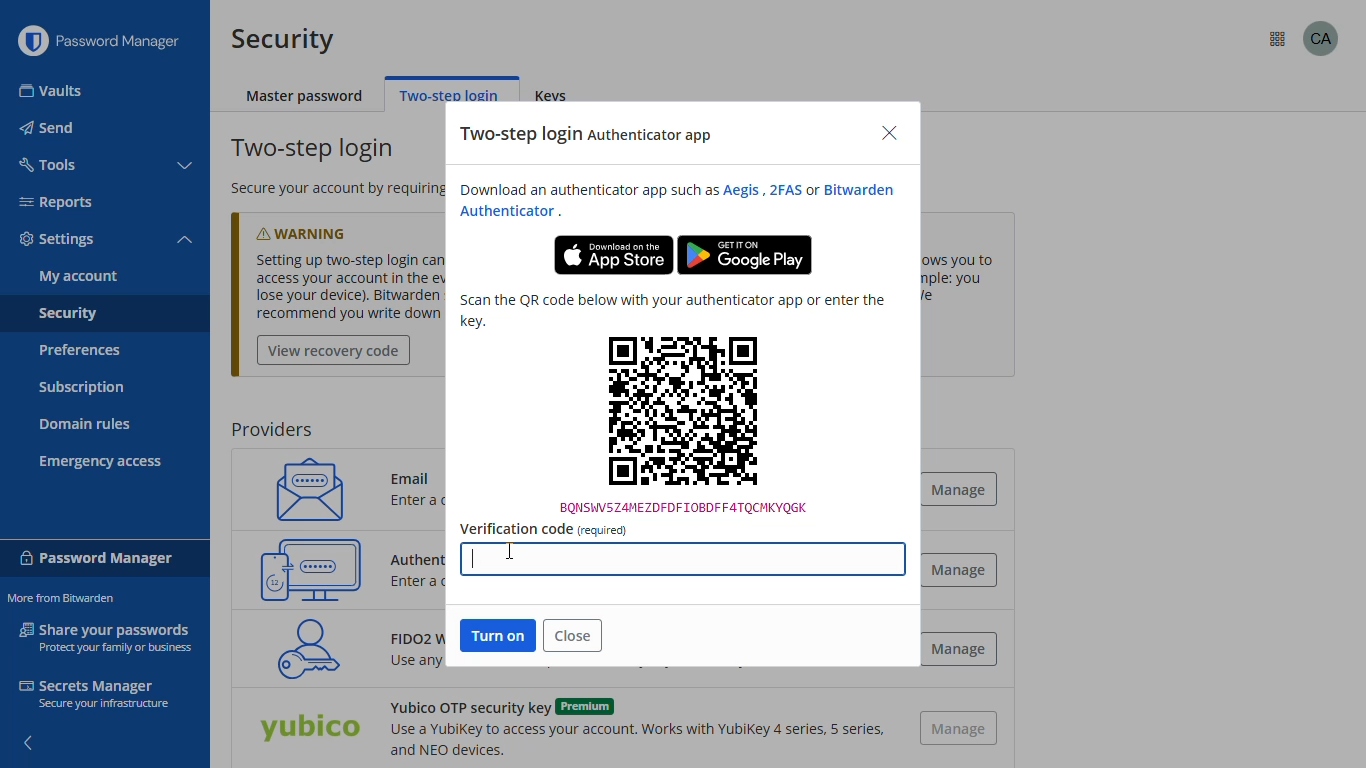  Describe the element at coordinates (440, 504) in the screenshot. I see `Enter a code sent to your email.` at that location.